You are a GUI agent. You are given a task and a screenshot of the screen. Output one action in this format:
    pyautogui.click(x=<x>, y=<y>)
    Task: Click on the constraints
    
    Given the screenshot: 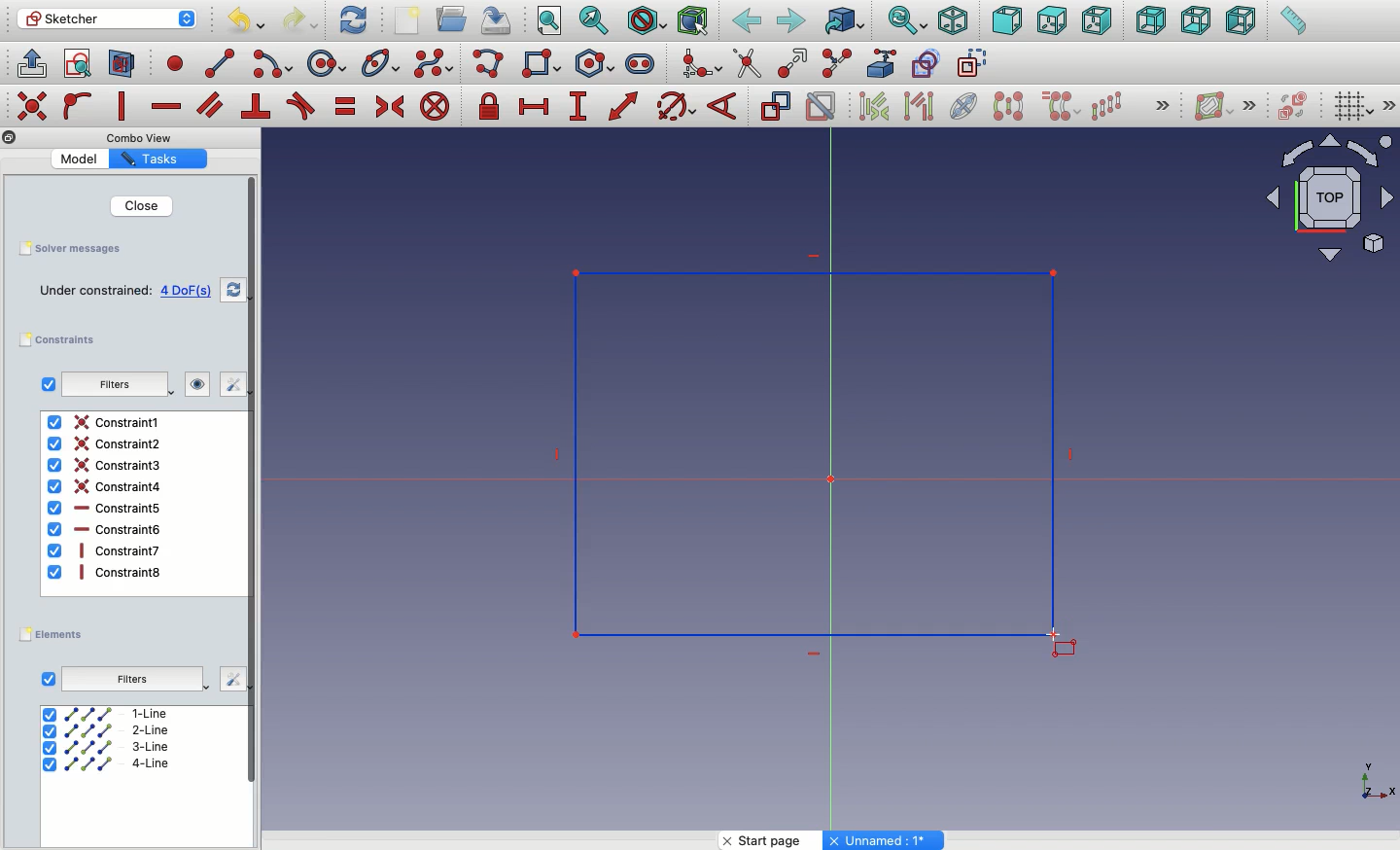 What is the action you would take?
    pyautogui.click(x=62, y=340)
    